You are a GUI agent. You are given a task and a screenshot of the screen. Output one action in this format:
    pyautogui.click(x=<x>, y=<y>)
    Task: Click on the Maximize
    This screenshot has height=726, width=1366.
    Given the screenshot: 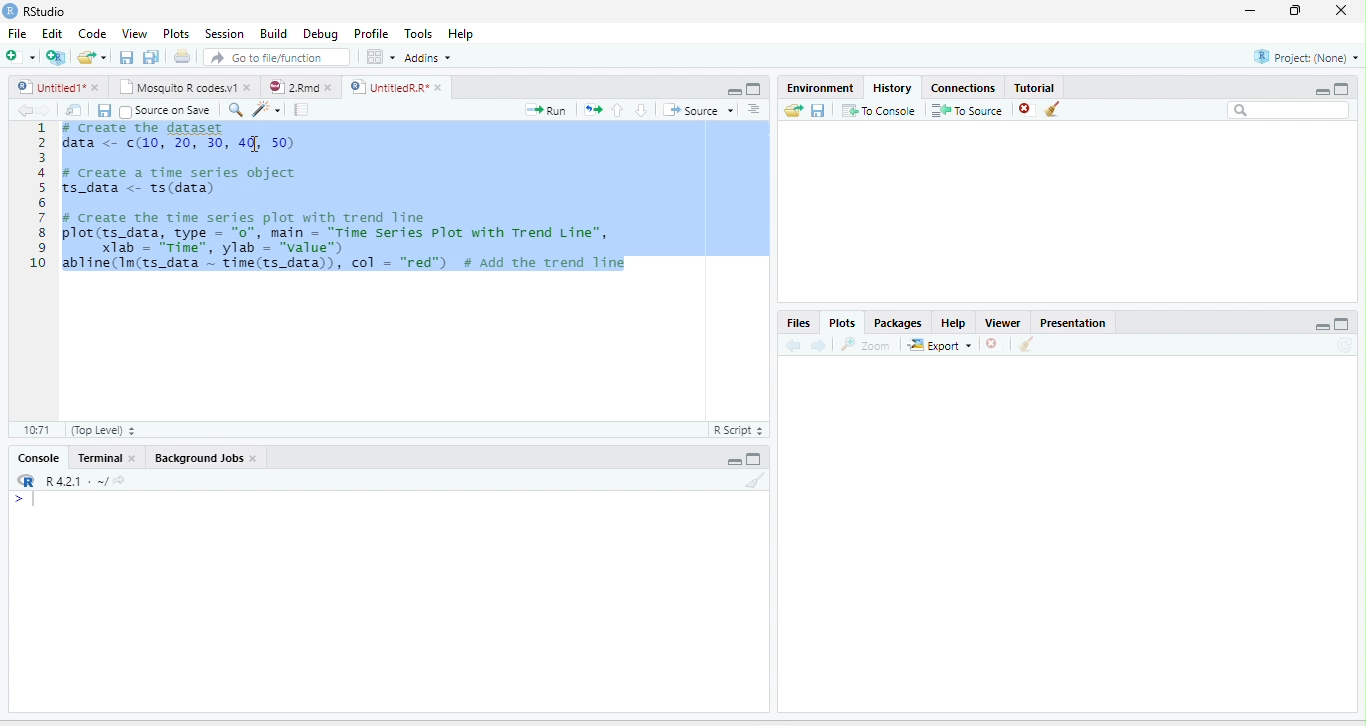 What is the action you would take?
    pyautogui.click(x=755, y=89)
    